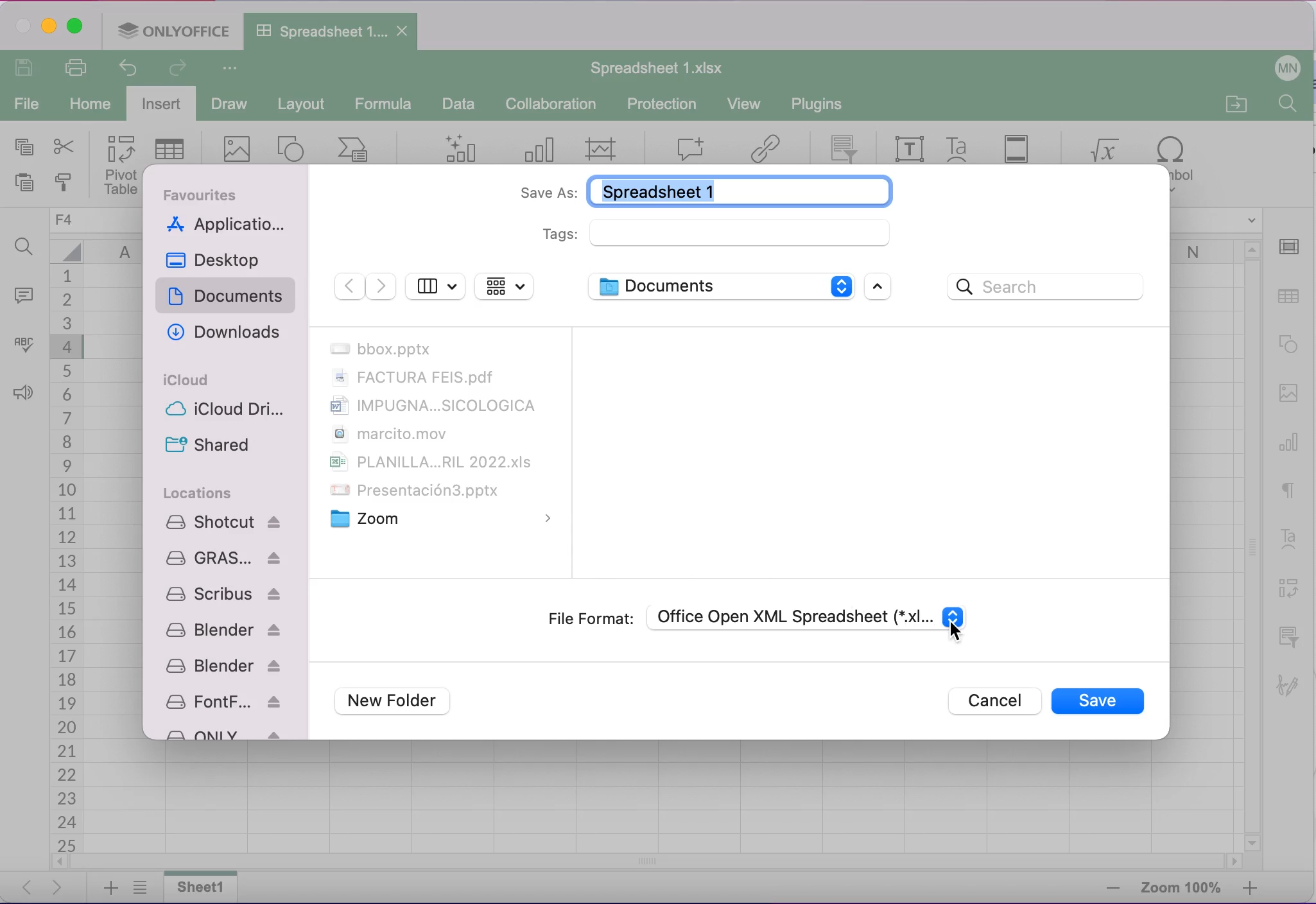 This screenshot has height=904, width=1316. What do you see at coordinates (810, 618) in the screenshot?
I see `office open xml spreadsheet dropdown` at bounding box center [810, 618].